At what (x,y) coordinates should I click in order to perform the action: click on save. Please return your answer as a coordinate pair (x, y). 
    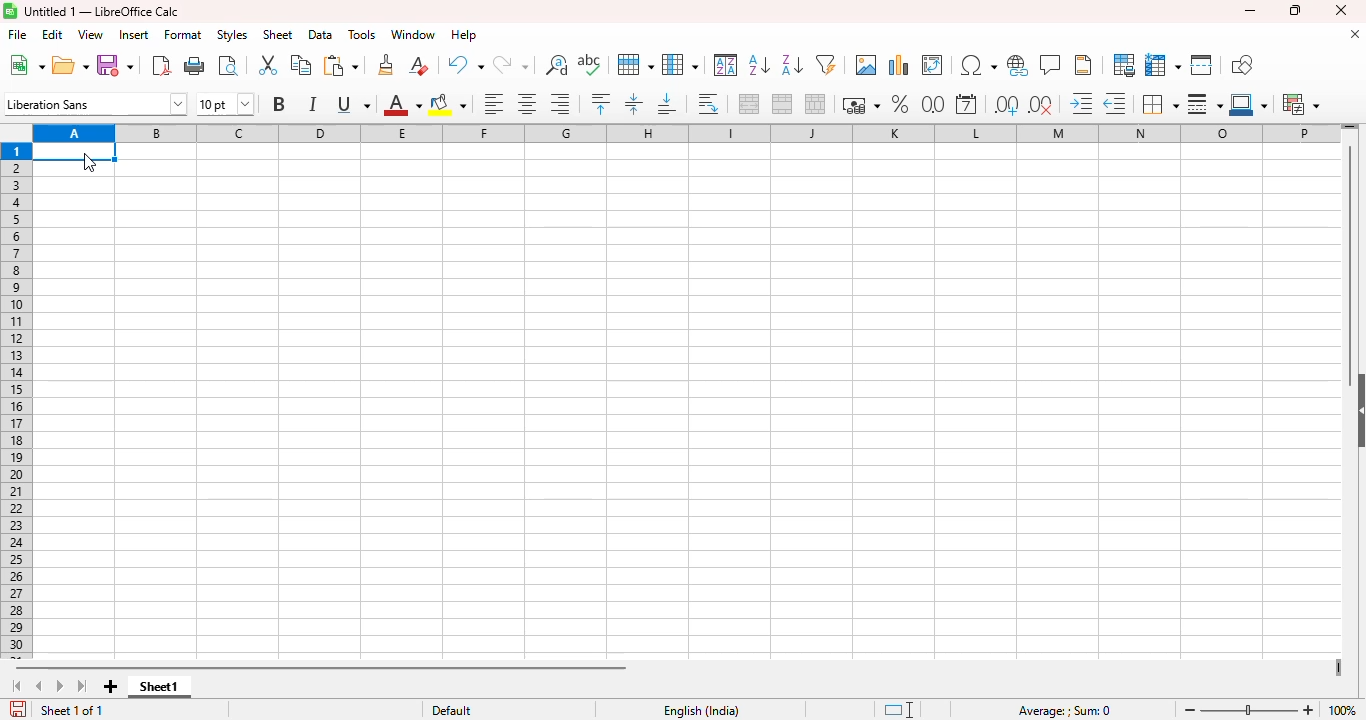
    Looking at the image, I should click on (115, 65).